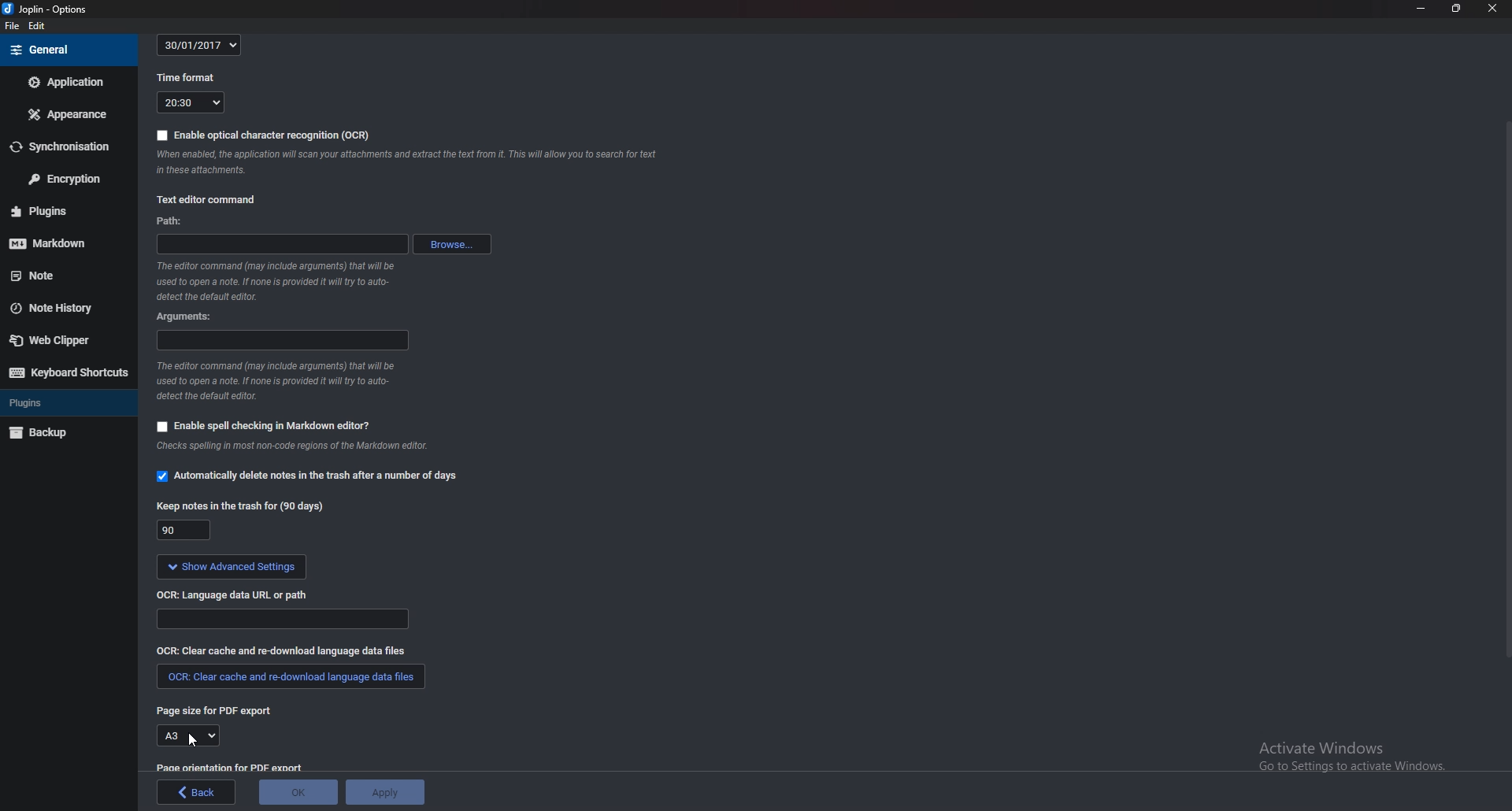 The image size is (1512, 811). What do you see at coordinates (186, 317) in the screenshot?
I see `Arguments` at bounding box center [186, 317].